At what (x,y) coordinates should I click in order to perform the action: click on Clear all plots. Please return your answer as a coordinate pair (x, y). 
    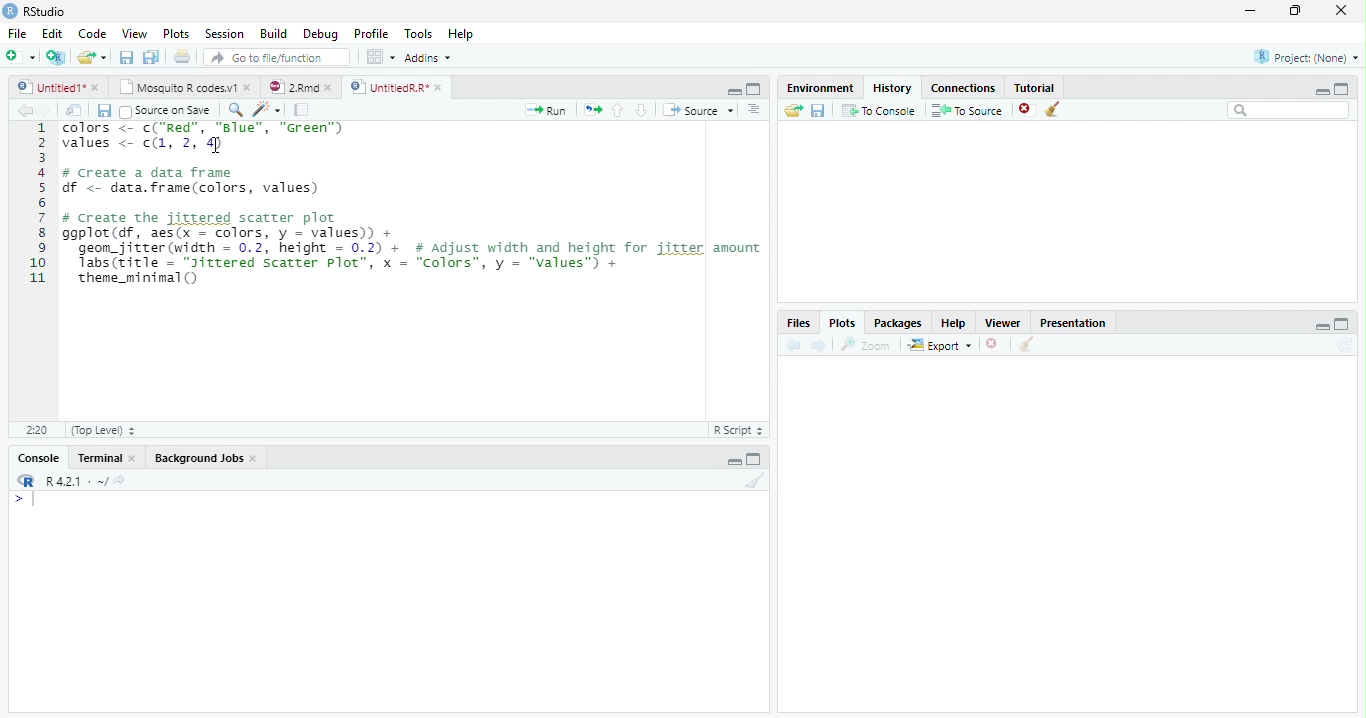
    Looking at the image, I should click on (1025, 344).